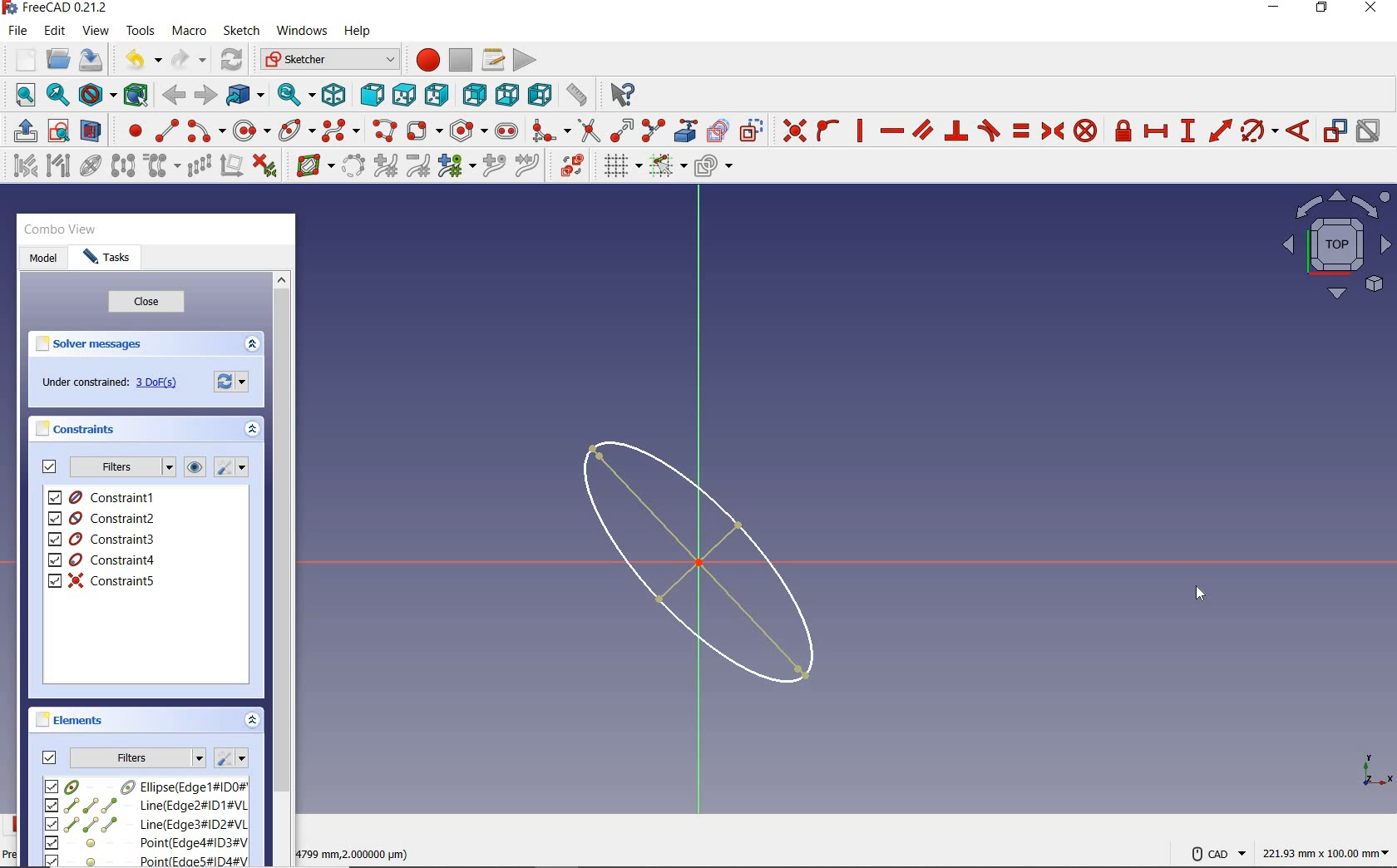 The width and height of the screenshot is (1397, 868). Describe the element at coordinates (491, 58) in the screenshot. I see `macros` at that location.